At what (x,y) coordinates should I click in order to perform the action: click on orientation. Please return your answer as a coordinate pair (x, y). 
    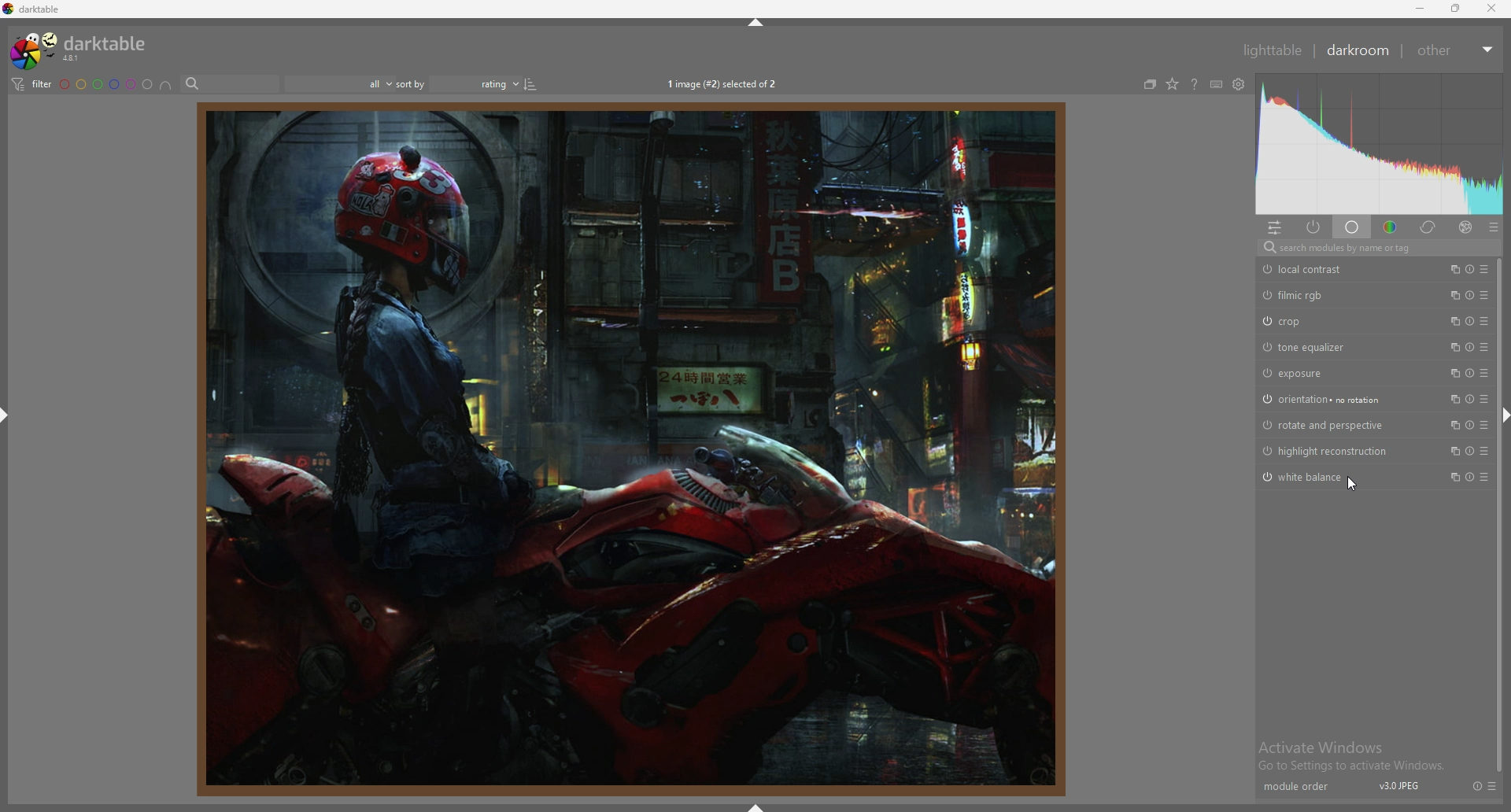
    Looking at the image, I should click on (1324, 400).